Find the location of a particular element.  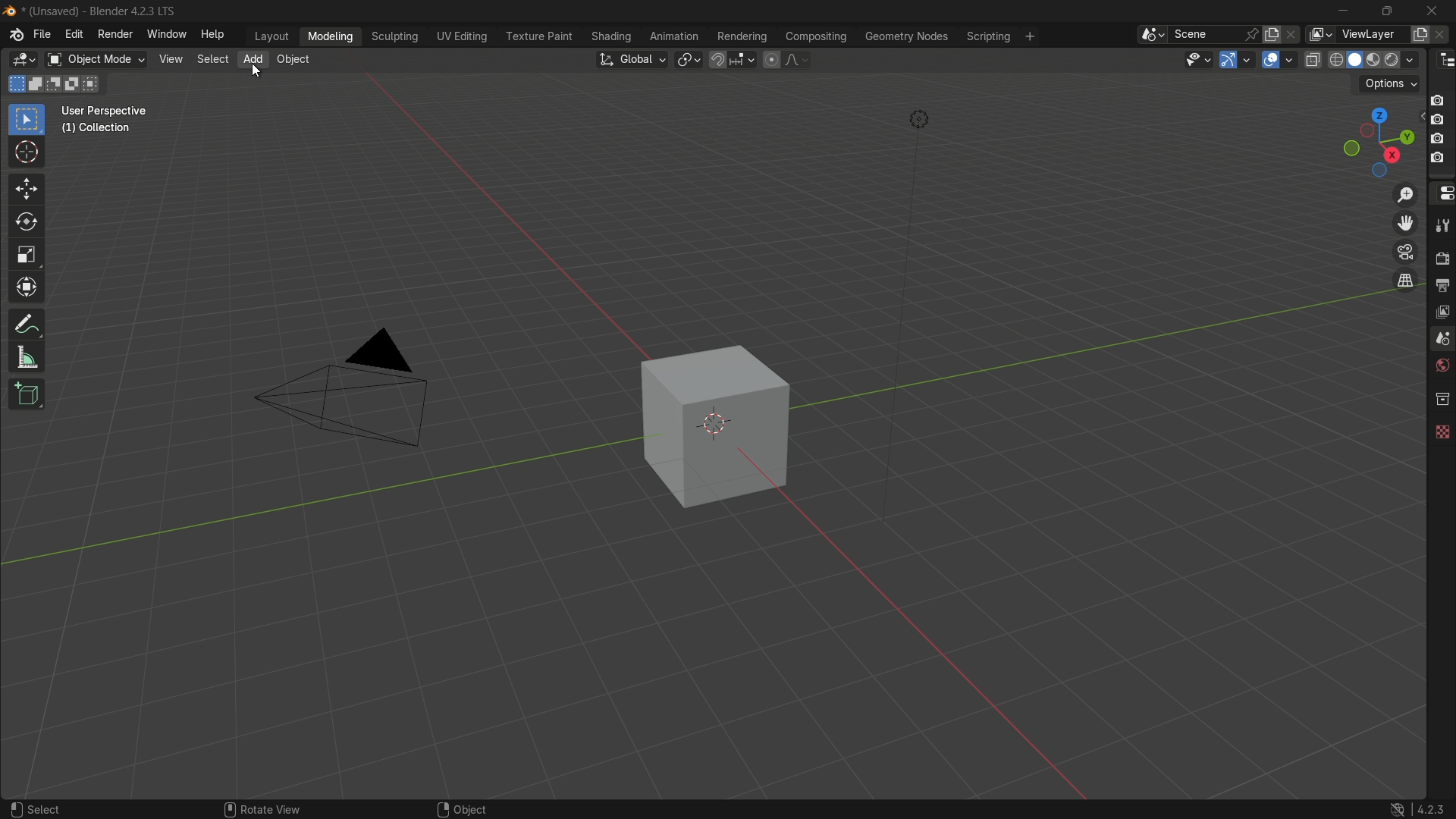

scale is located at coordinates (28, 256).